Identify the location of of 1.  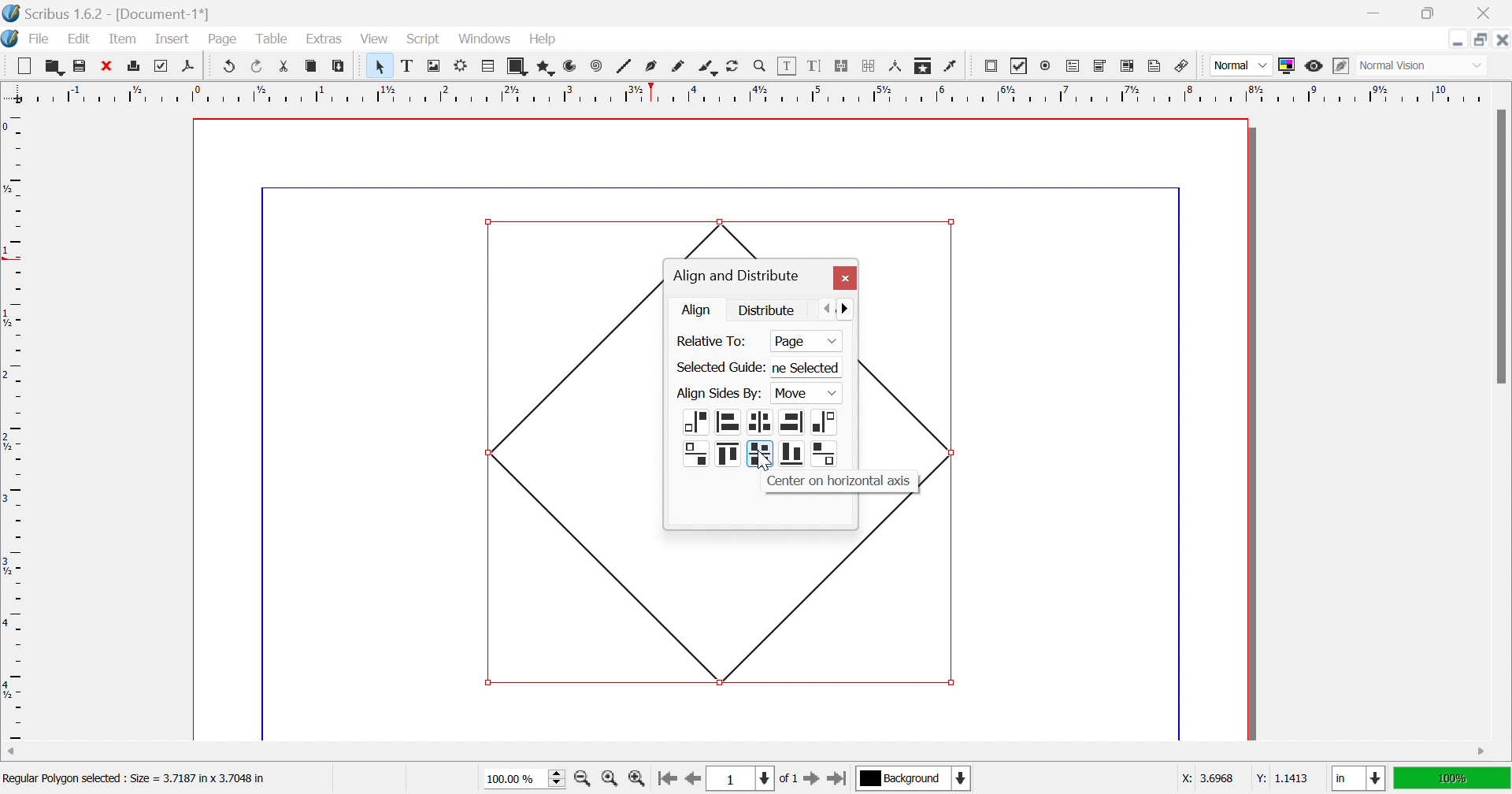
(787, 780).